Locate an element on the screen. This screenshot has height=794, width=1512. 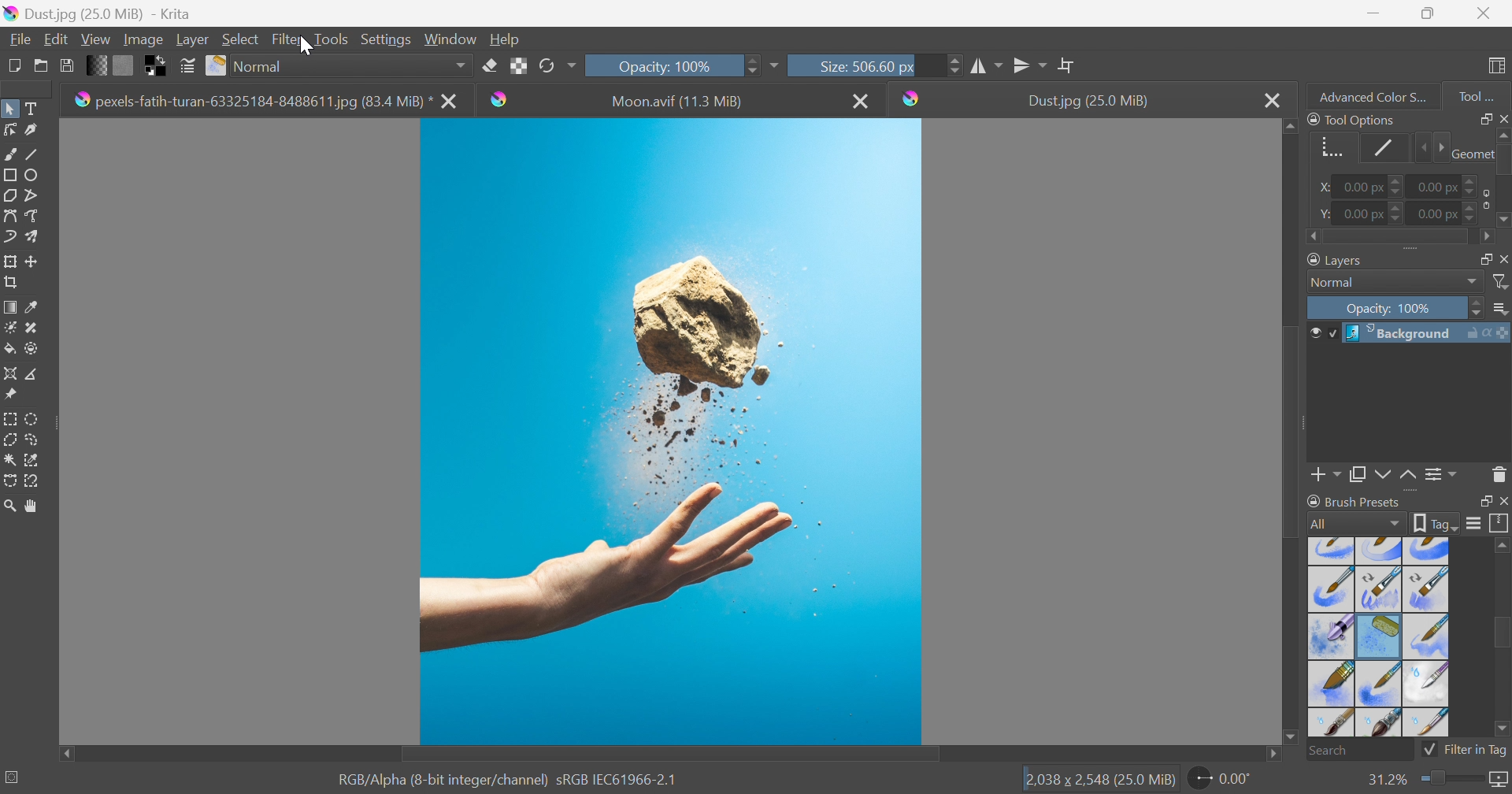
Pan tool is located at coordinates (32, 506).